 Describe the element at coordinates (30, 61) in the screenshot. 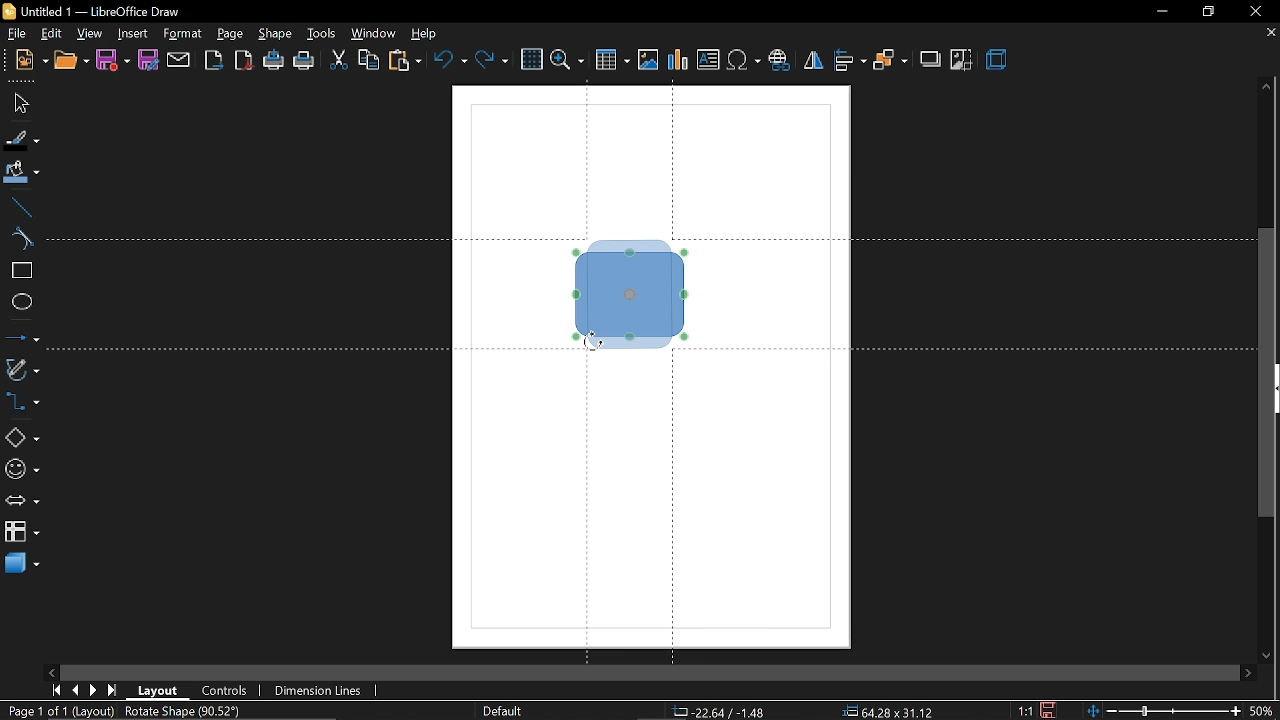

I see `new` at that location.